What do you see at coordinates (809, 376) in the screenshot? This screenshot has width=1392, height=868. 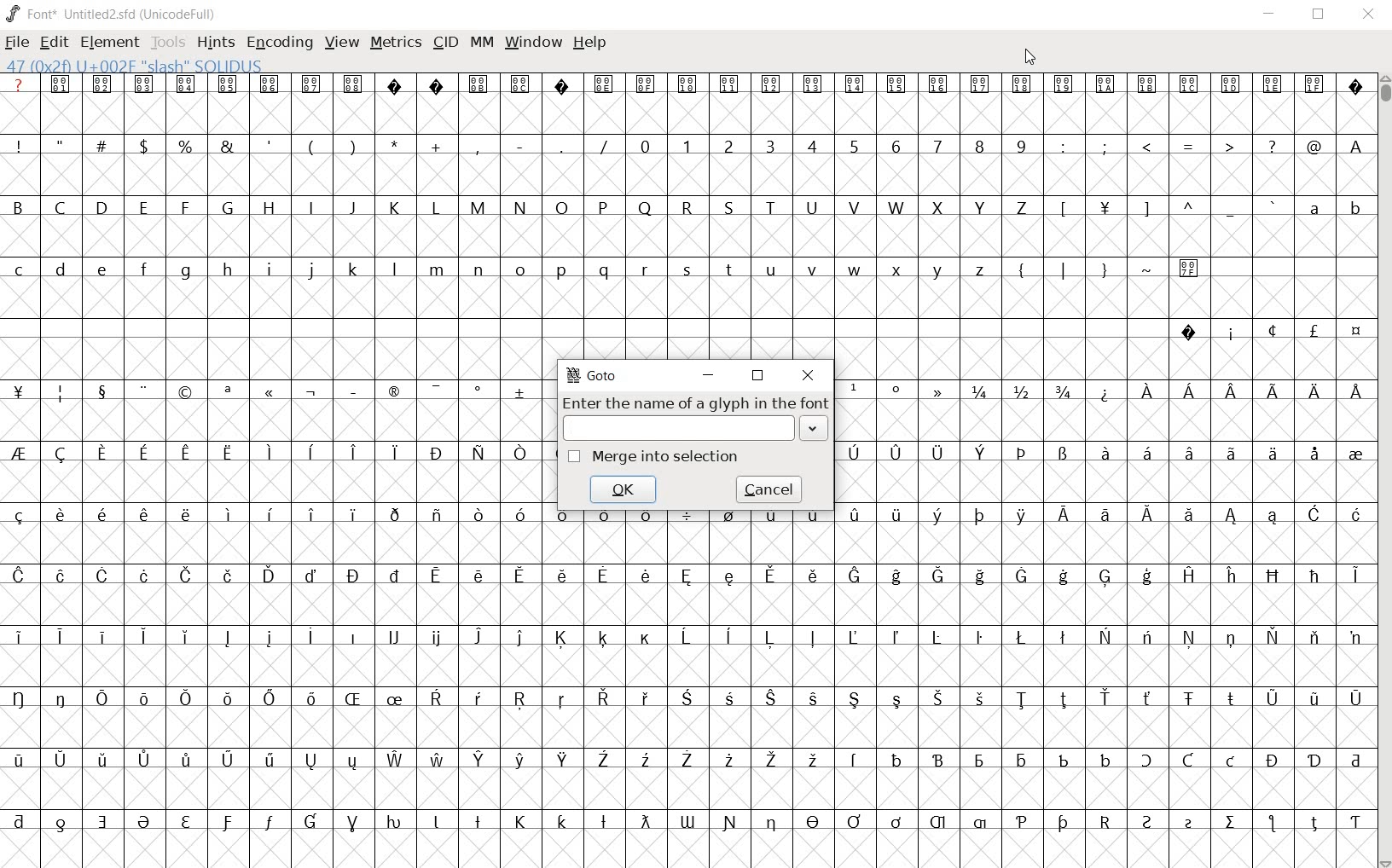 I see `close` at bounding box center [809, 376].